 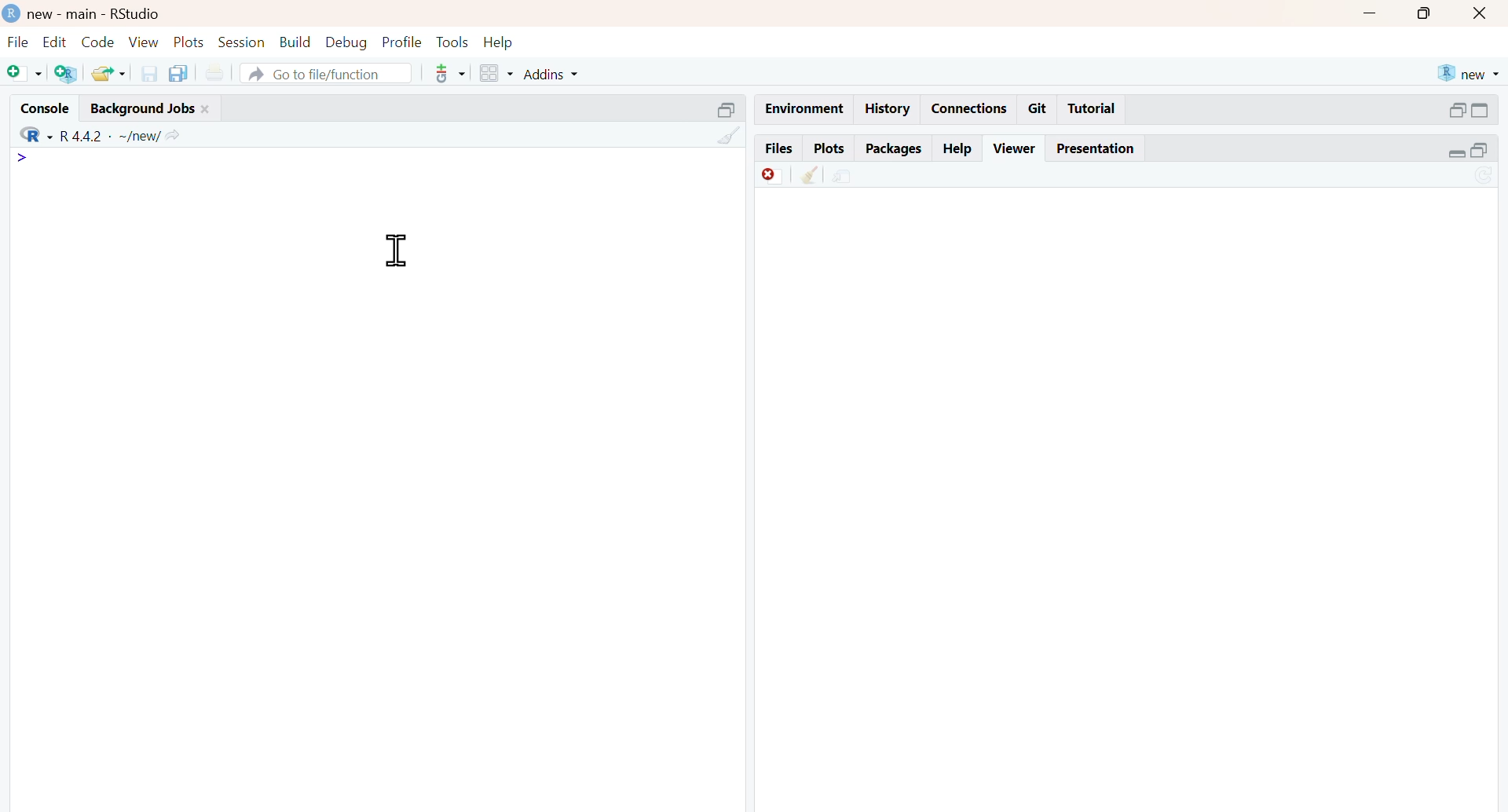 I want to click on code, so click(x=99, y=42).